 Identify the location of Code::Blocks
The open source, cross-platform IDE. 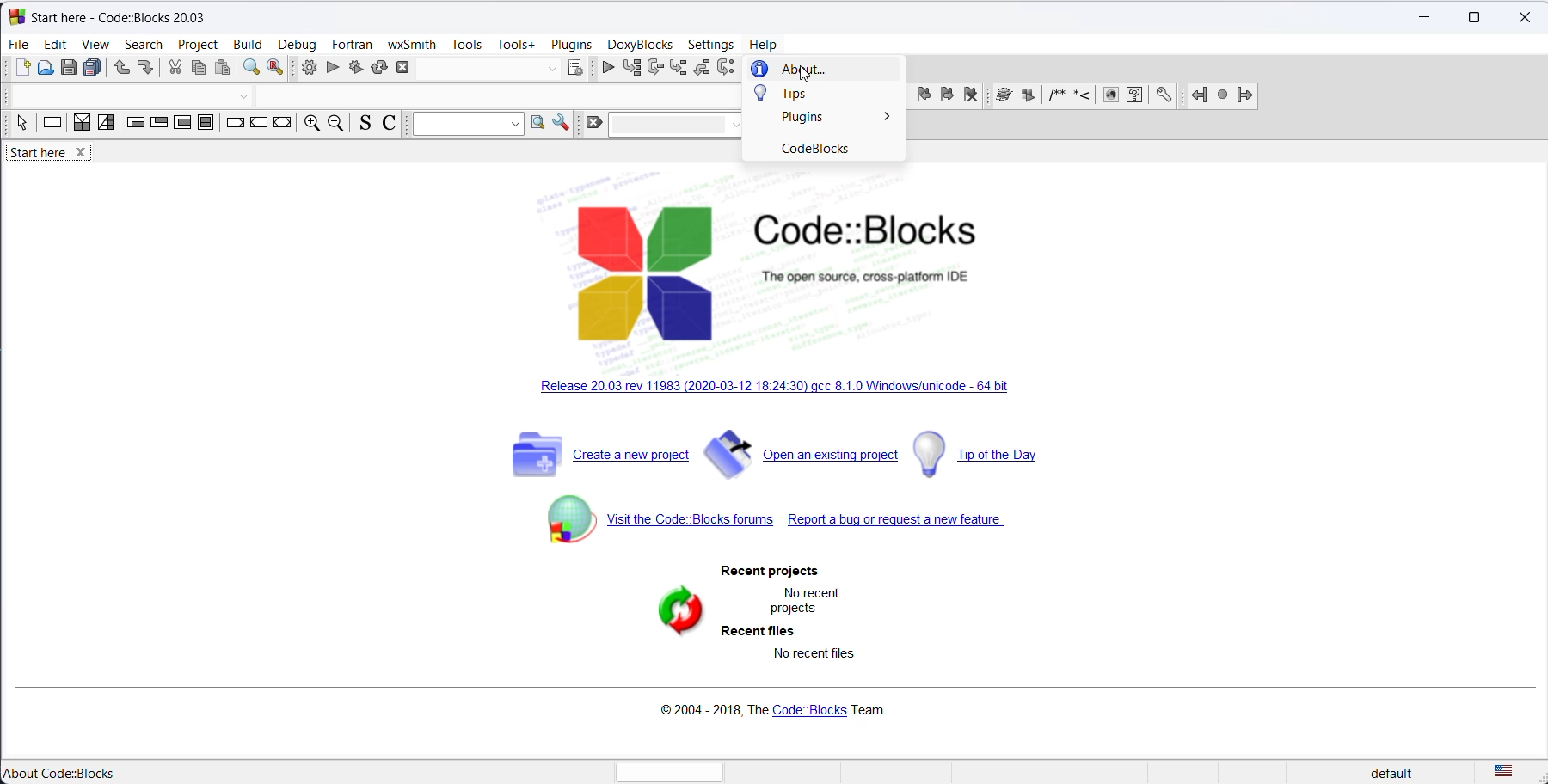
(769, 274).